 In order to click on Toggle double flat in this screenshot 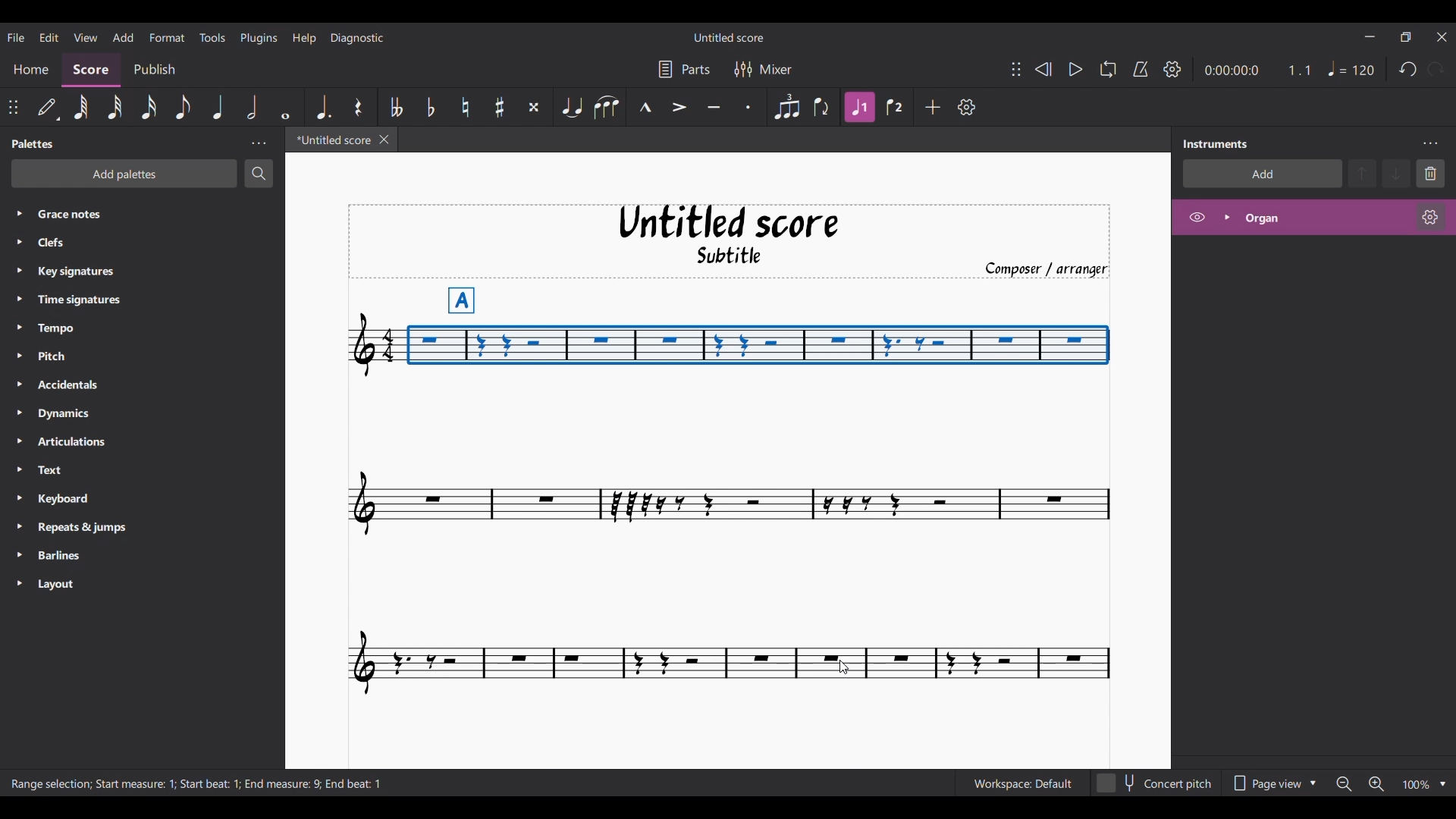, I will do `click(397, 107)`.